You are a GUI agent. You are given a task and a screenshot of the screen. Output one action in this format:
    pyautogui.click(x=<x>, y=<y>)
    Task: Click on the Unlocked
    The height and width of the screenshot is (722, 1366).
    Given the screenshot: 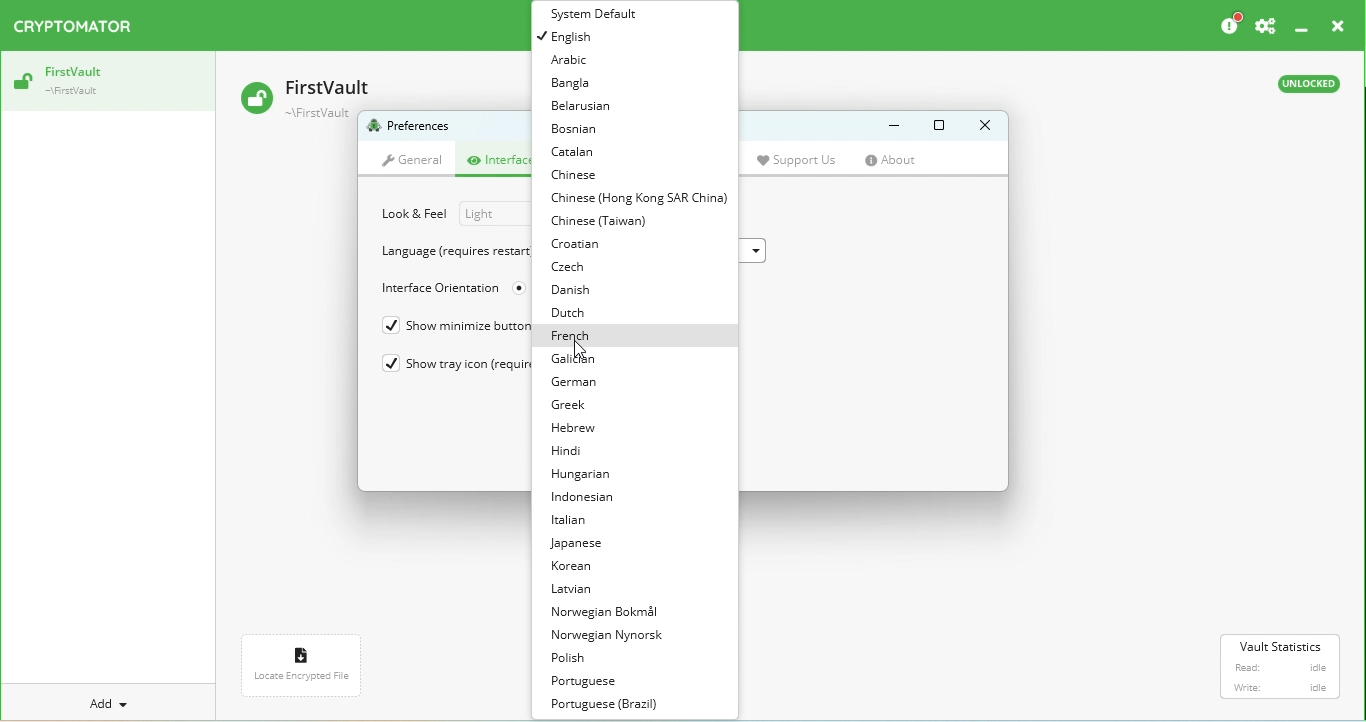 What is the action you would take?
    pyautogui.click(x=1306, y=87)
    